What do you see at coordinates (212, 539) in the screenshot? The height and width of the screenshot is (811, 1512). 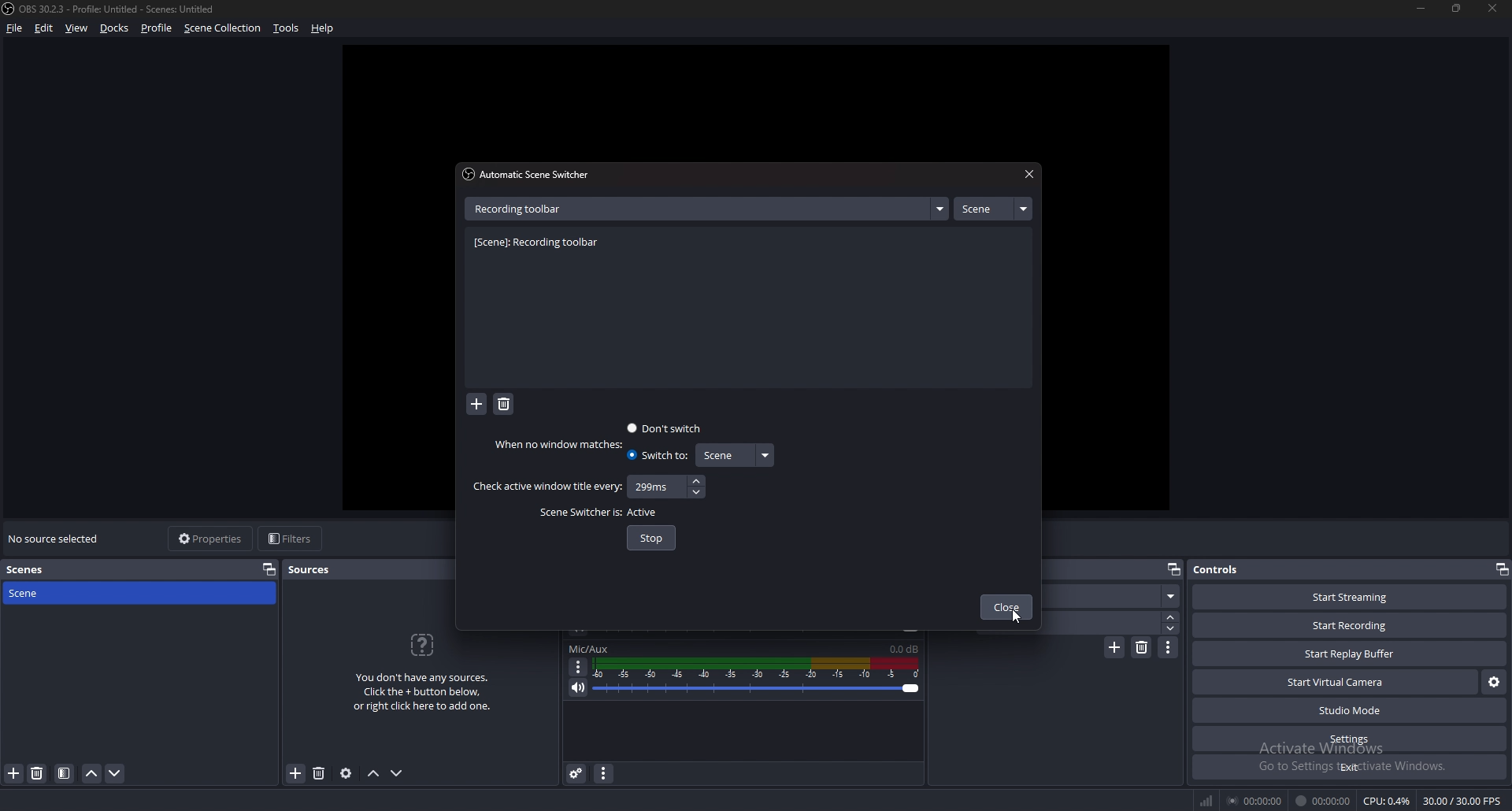 I see `properties` at bounding box center [212, 539].